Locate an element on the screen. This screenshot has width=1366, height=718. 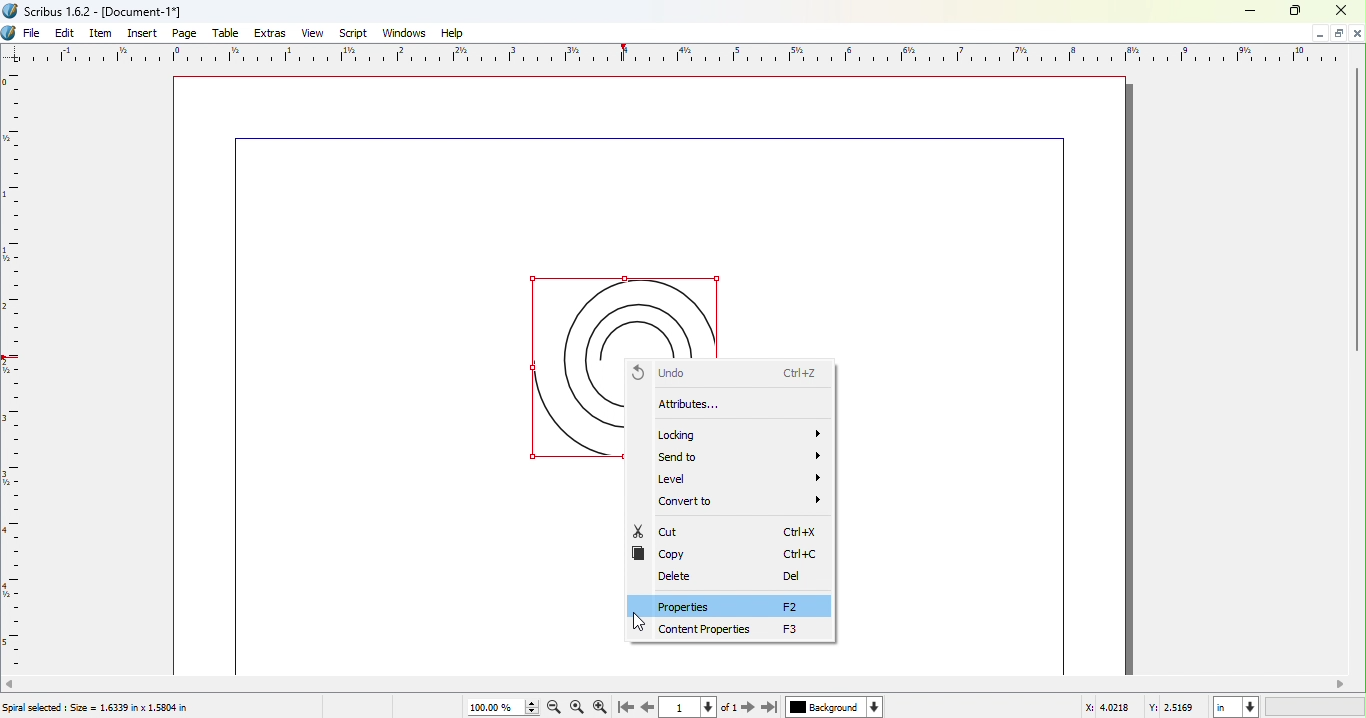
File name is located at coordinates (97, 10).